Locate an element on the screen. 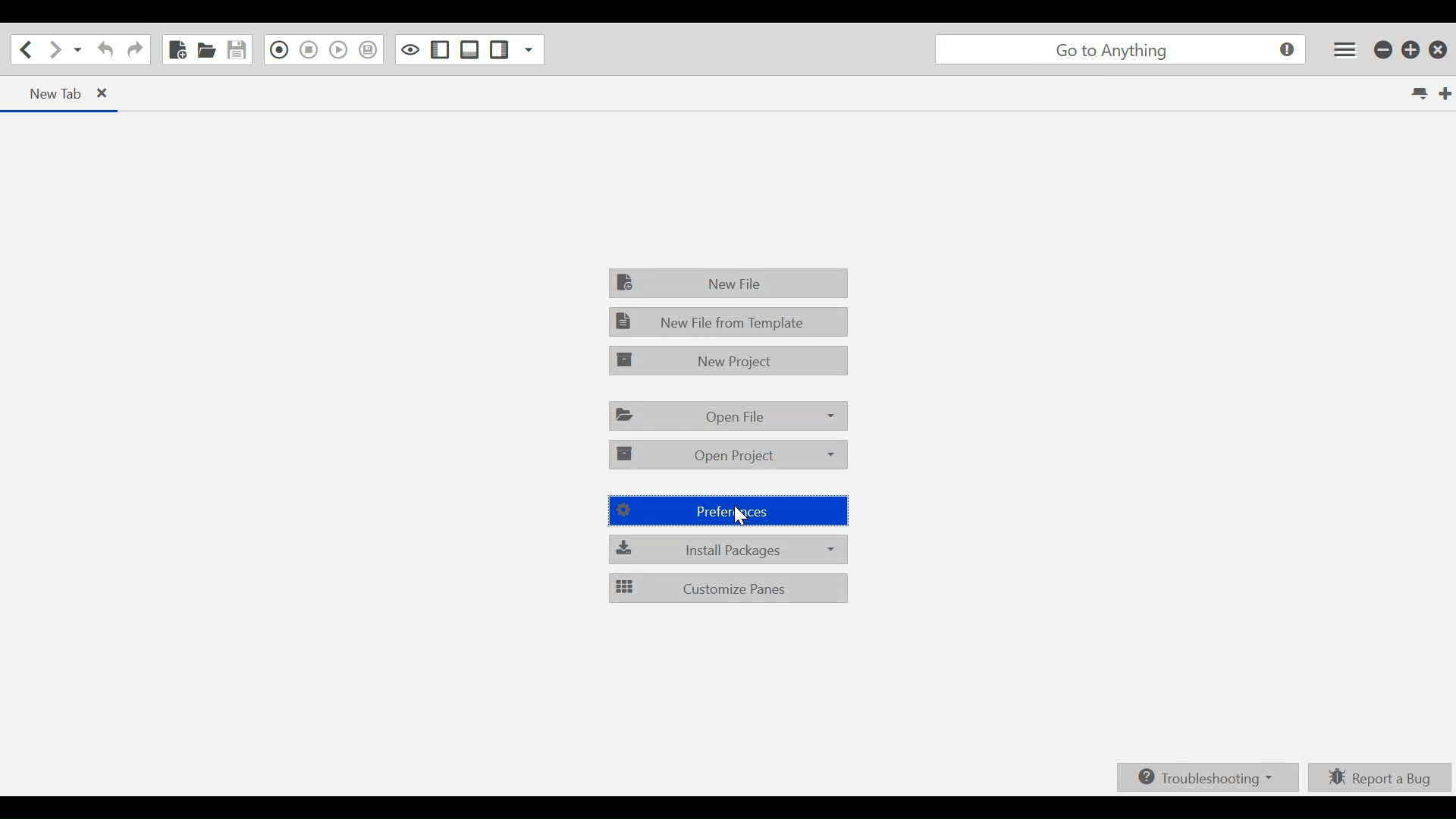  Troubleshooting is located at coordinates (1208, 778).